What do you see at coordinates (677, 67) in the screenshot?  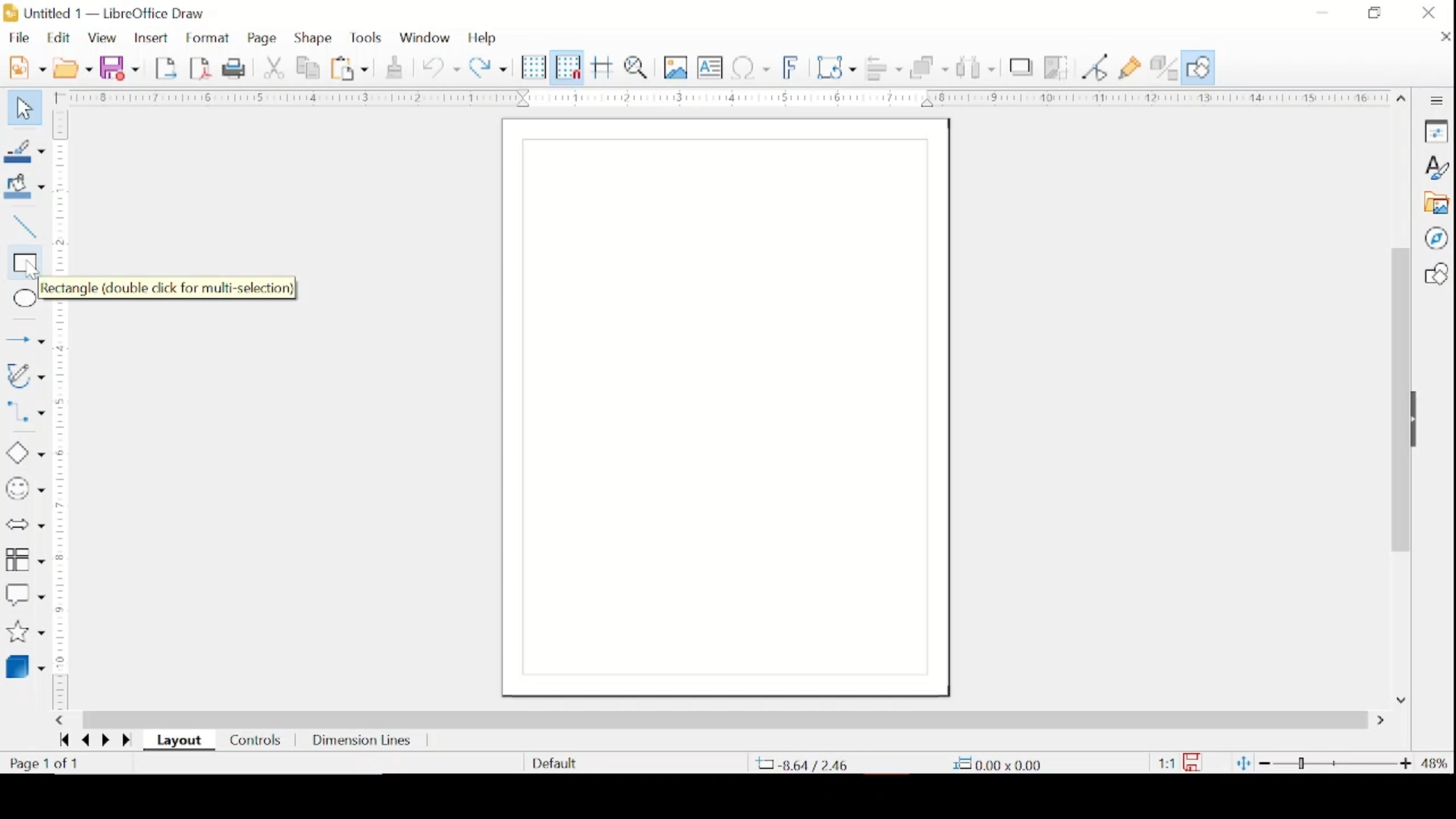 I see `insert image` at bounding box center [677, 67].